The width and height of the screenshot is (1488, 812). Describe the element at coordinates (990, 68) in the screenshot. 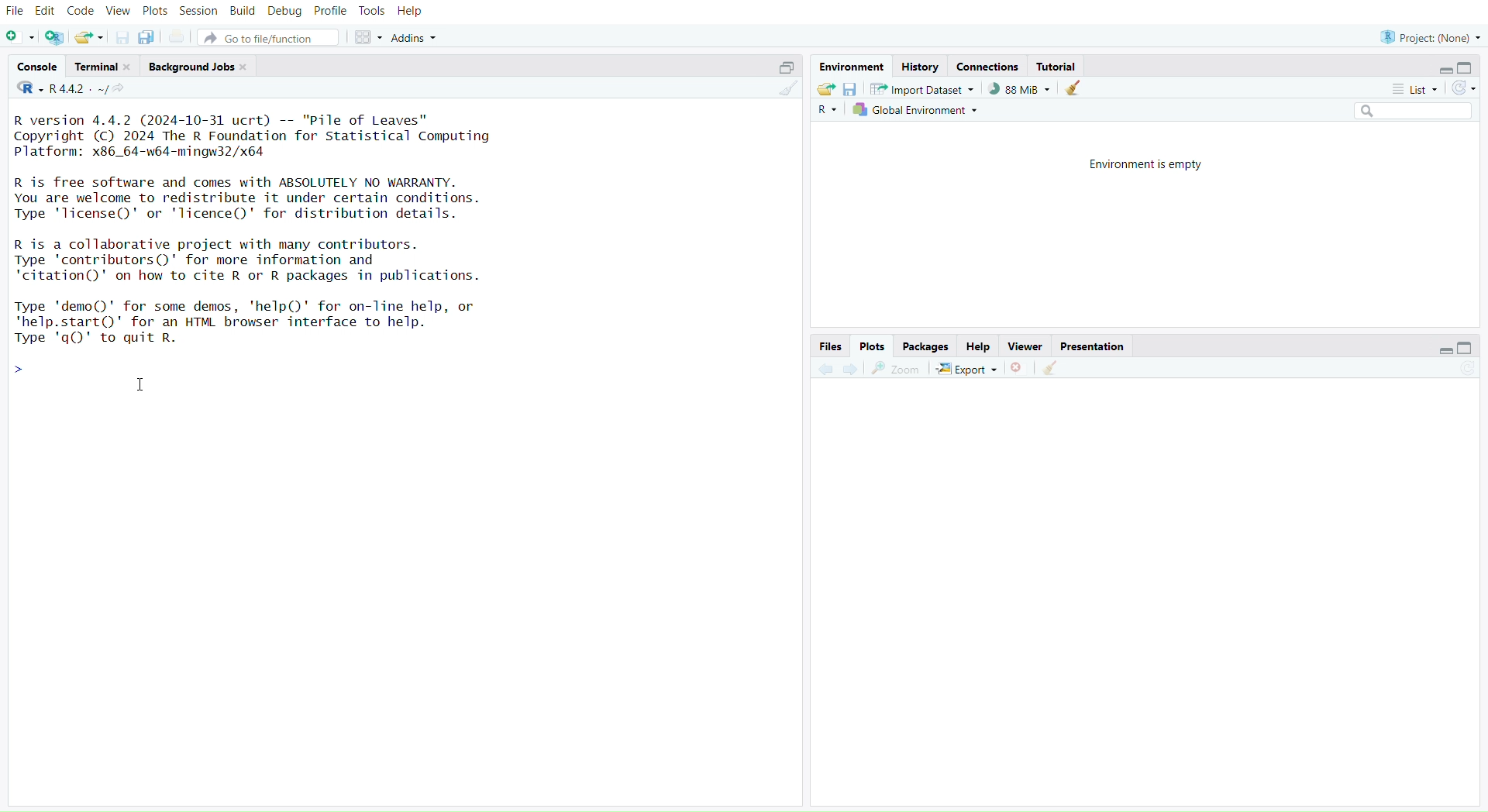

I see `connections` at that location.